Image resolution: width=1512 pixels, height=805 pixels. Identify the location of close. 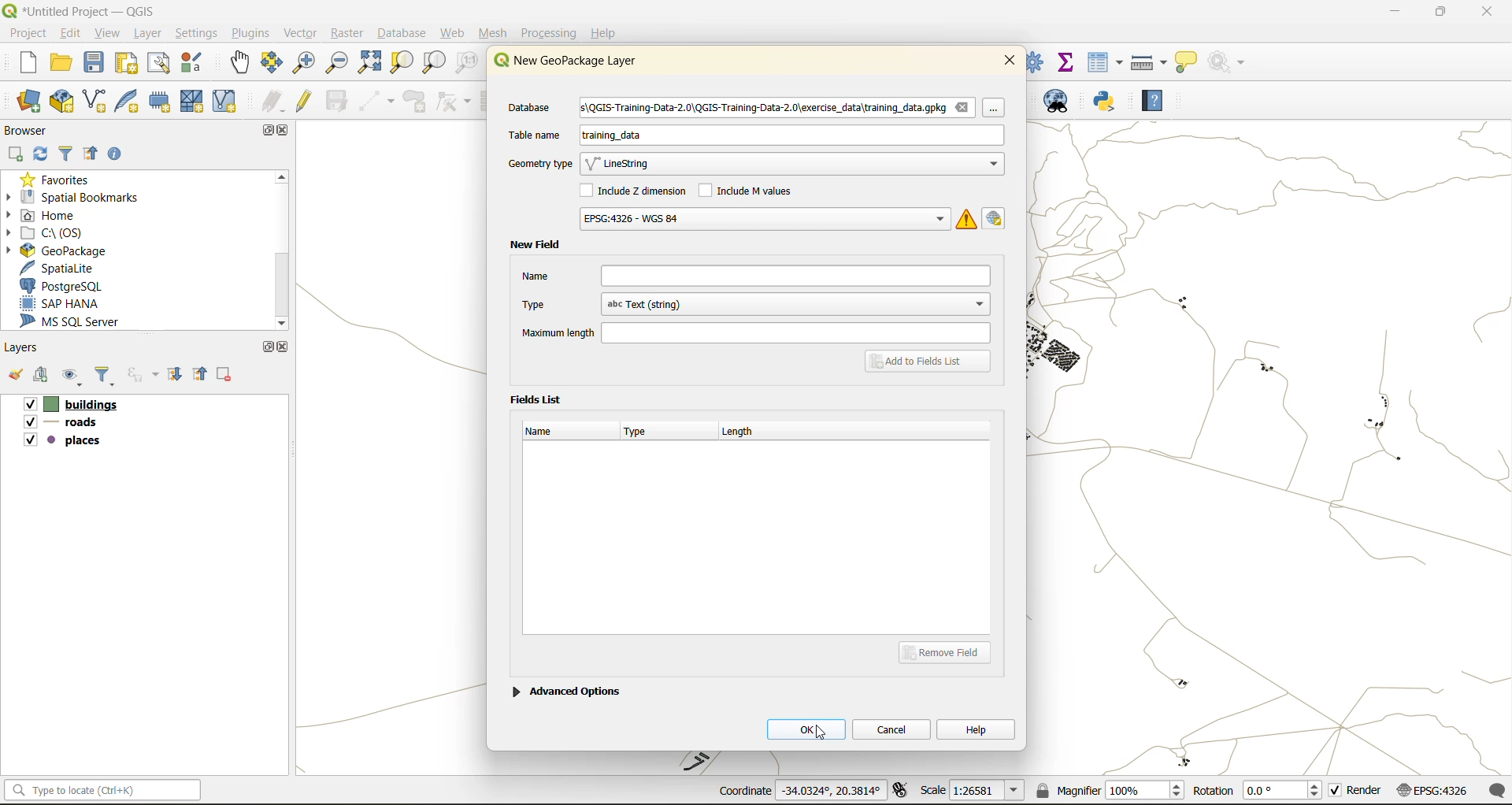
(283, 347).